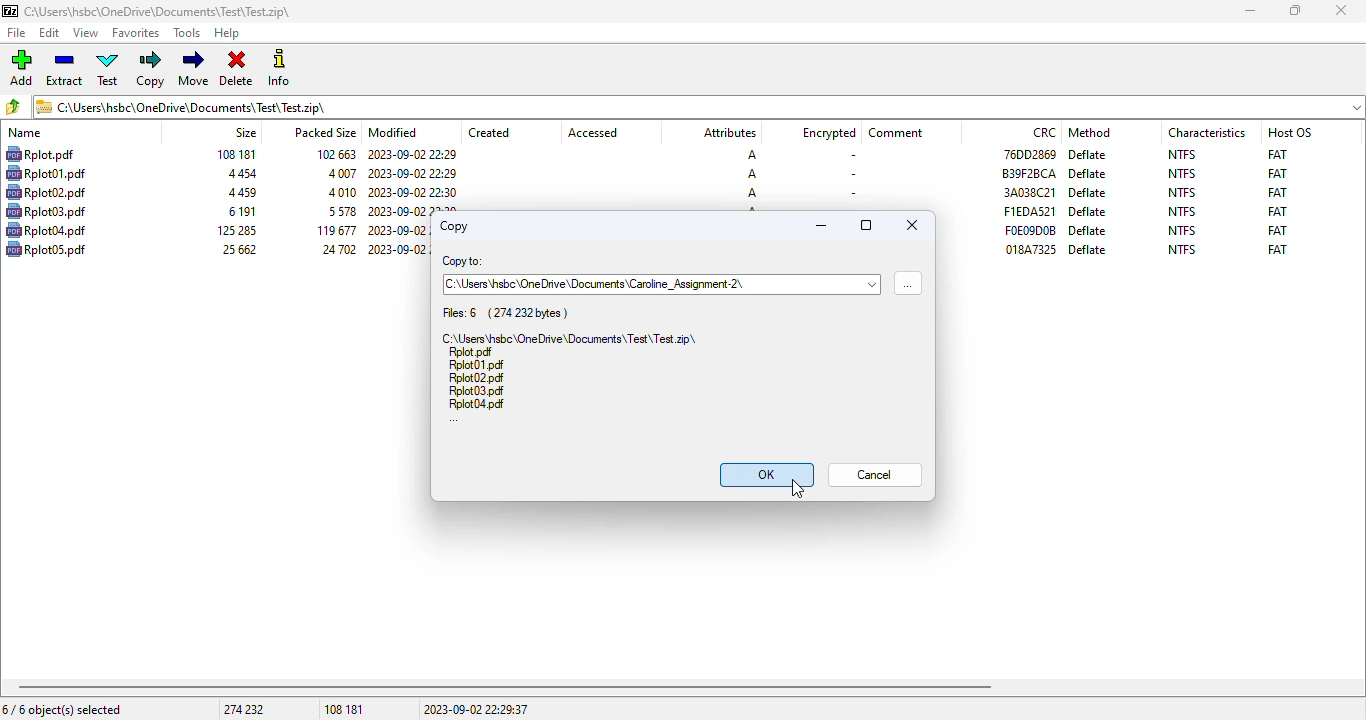 The width and height of the screenshot is (1366, 720). I want to click on copy, so click(452, 226).